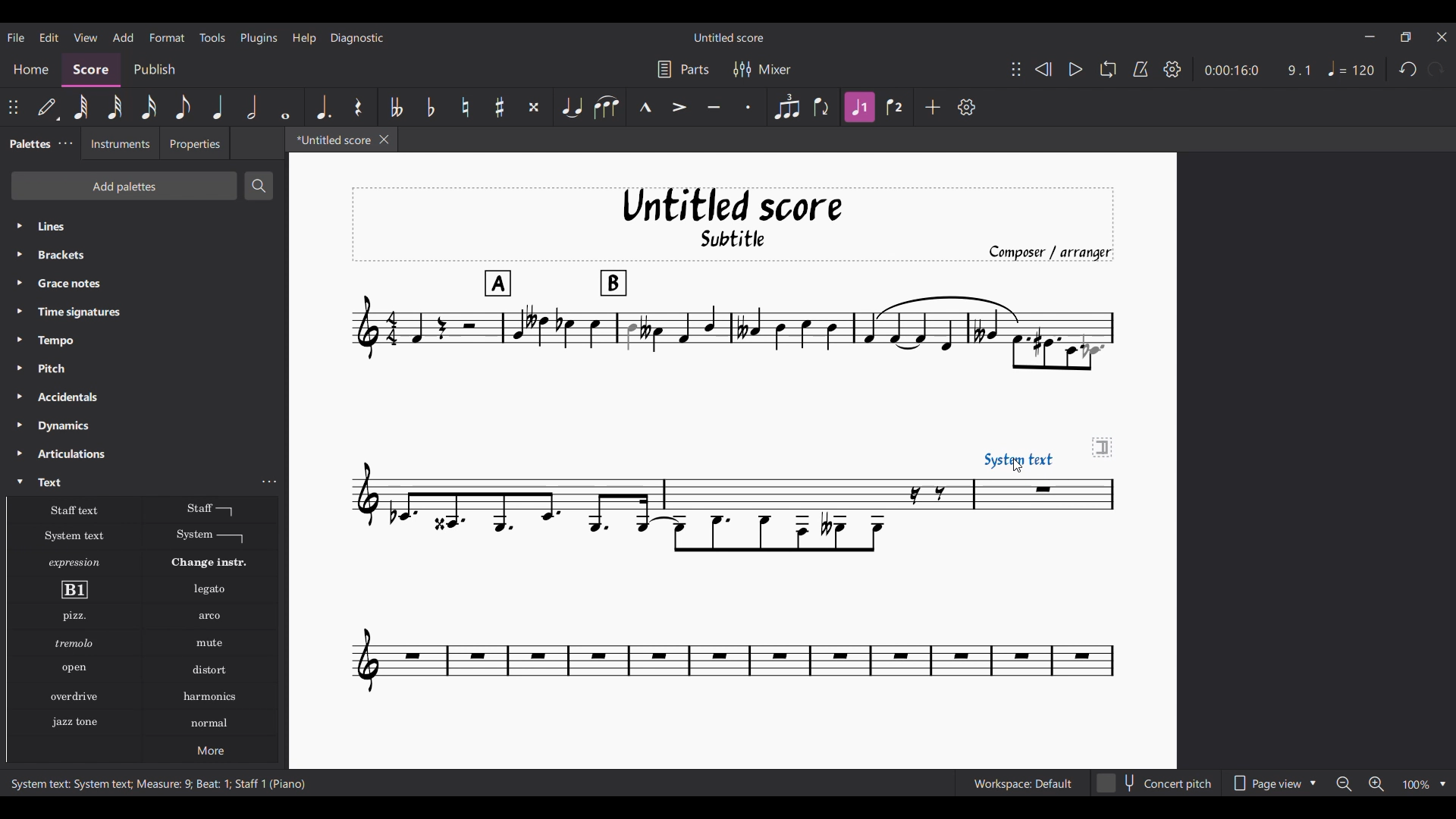 This screenshot has height=819, width=1456. I want to click on Workspace: Default, so click(1023, 783).